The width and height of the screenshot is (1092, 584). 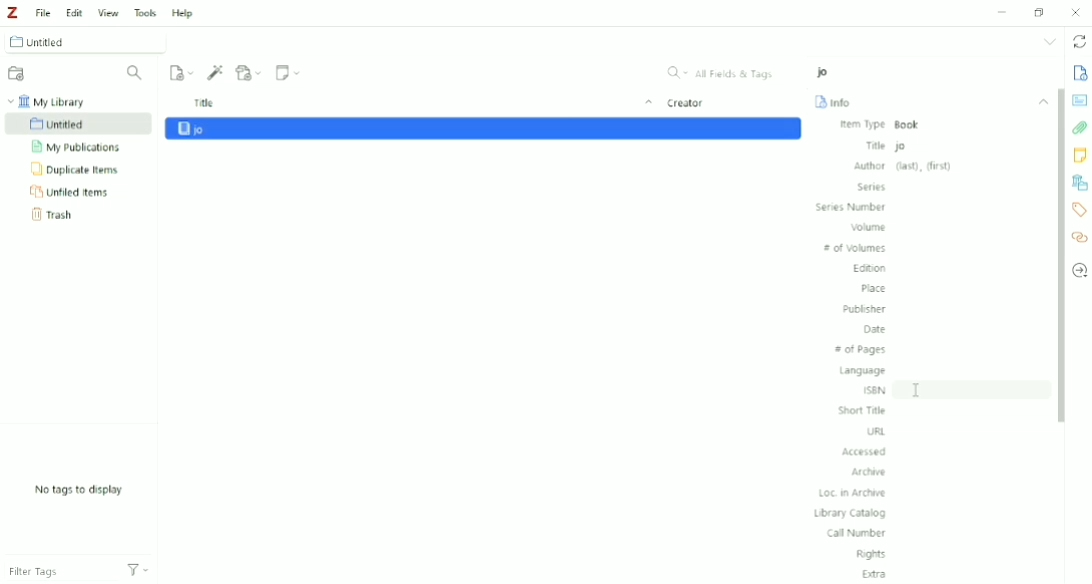 What do you see at coordinates (726, 73) in the screenshot?
I see `All Fields & Tags` at bounding box center [726, 73].